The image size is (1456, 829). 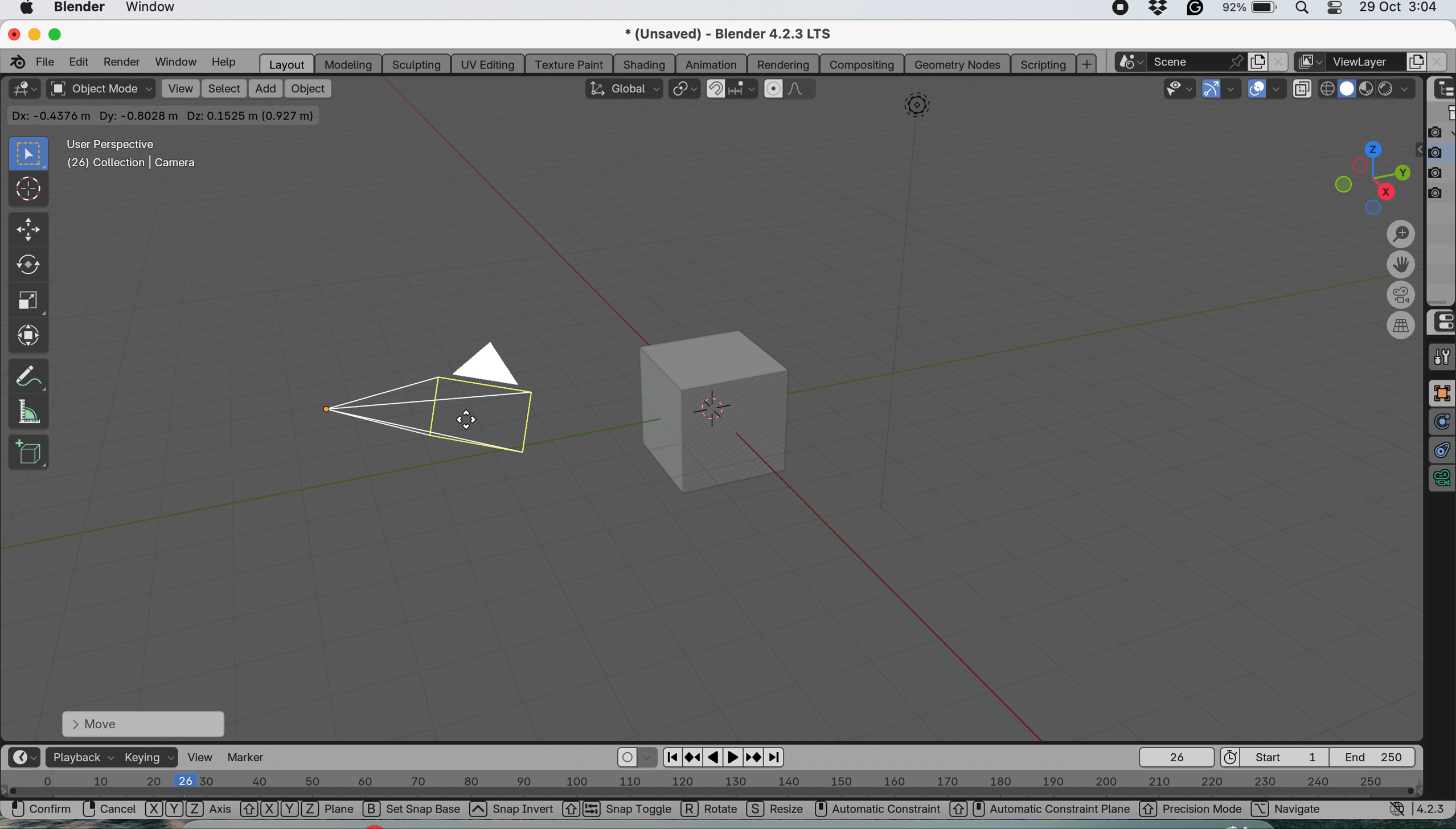 What do you see at coordinates (413, 63) in the screenshot?
I see `sculpting` at bounding box center [413, 63].